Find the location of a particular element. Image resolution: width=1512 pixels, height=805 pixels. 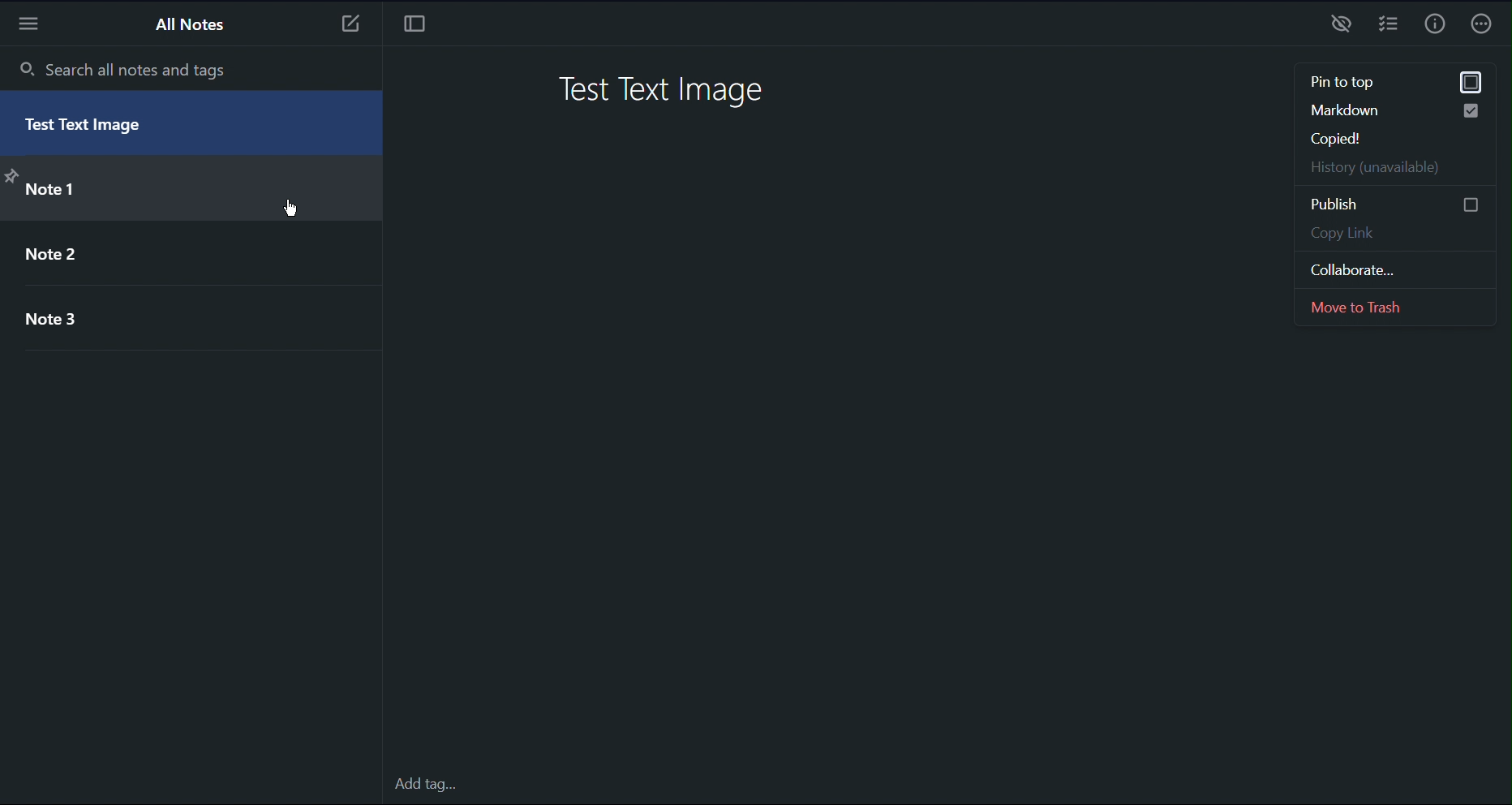

New Note is located at coordinates (349, 28).